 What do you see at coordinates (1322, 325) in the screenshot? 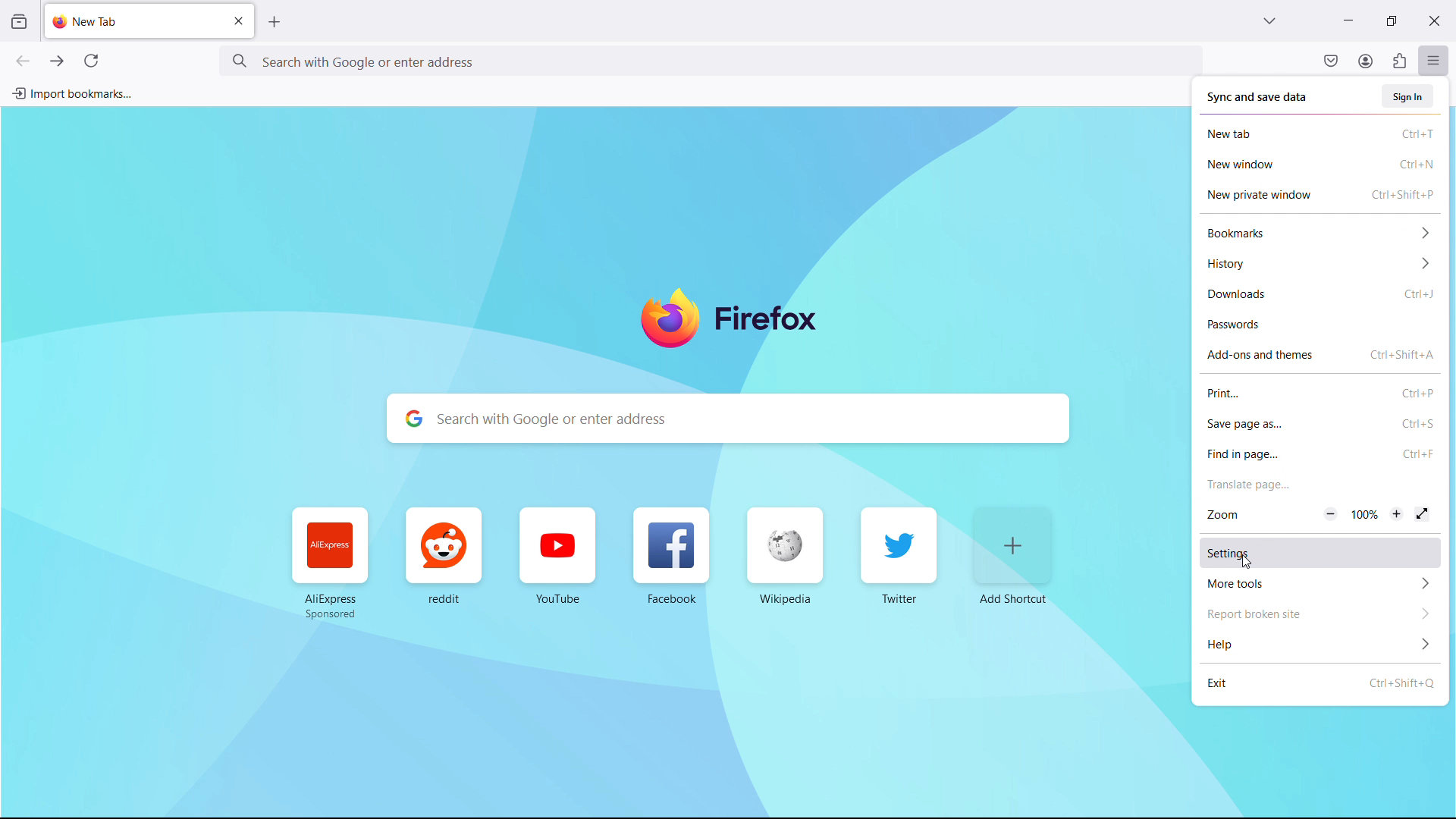
I see `passwords` at bounding box center [1322, 325].